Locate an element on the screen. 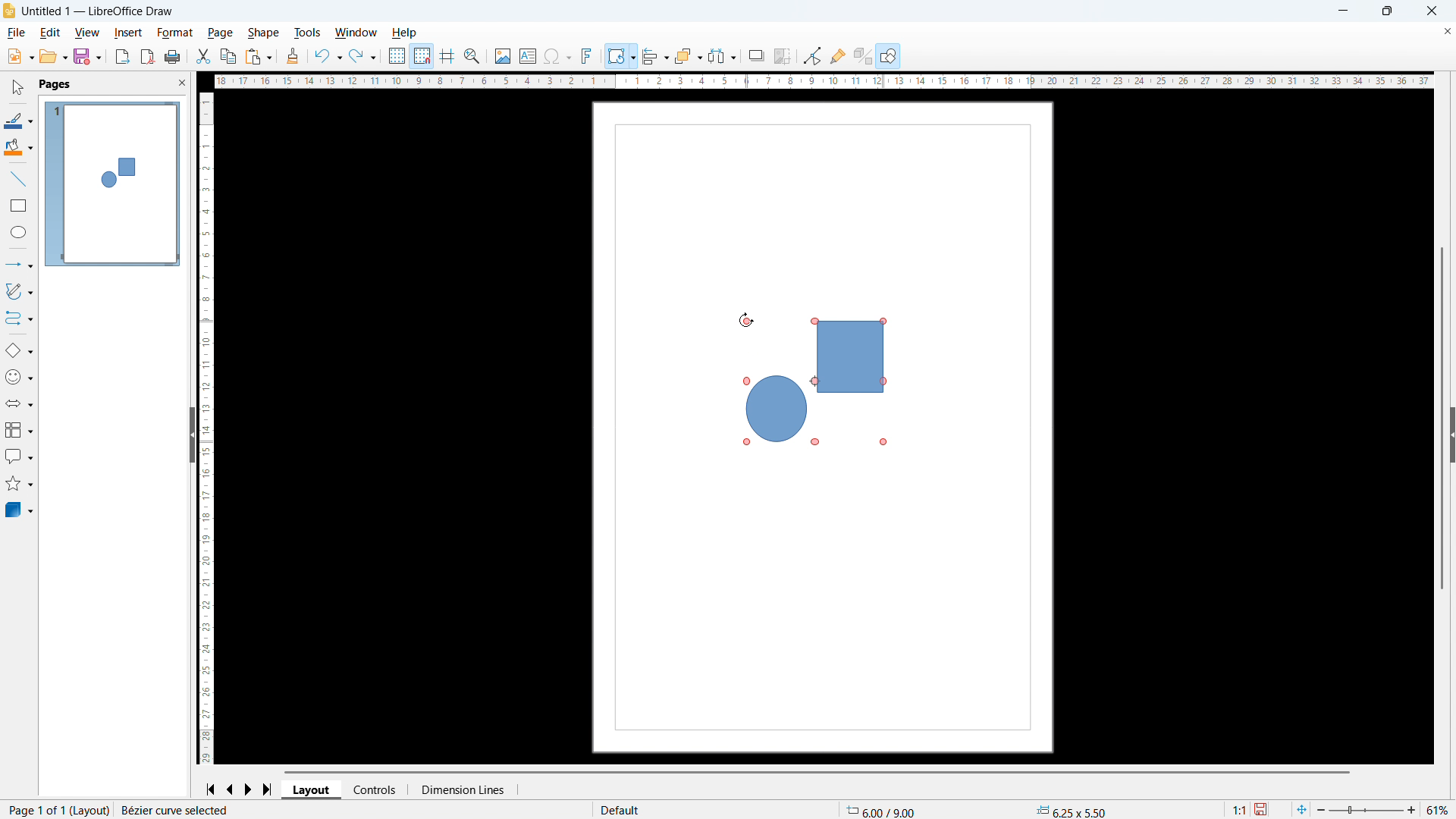 This screenshot has height=819, width=1456. Insert symbols  is located at coordinates (557, 56).